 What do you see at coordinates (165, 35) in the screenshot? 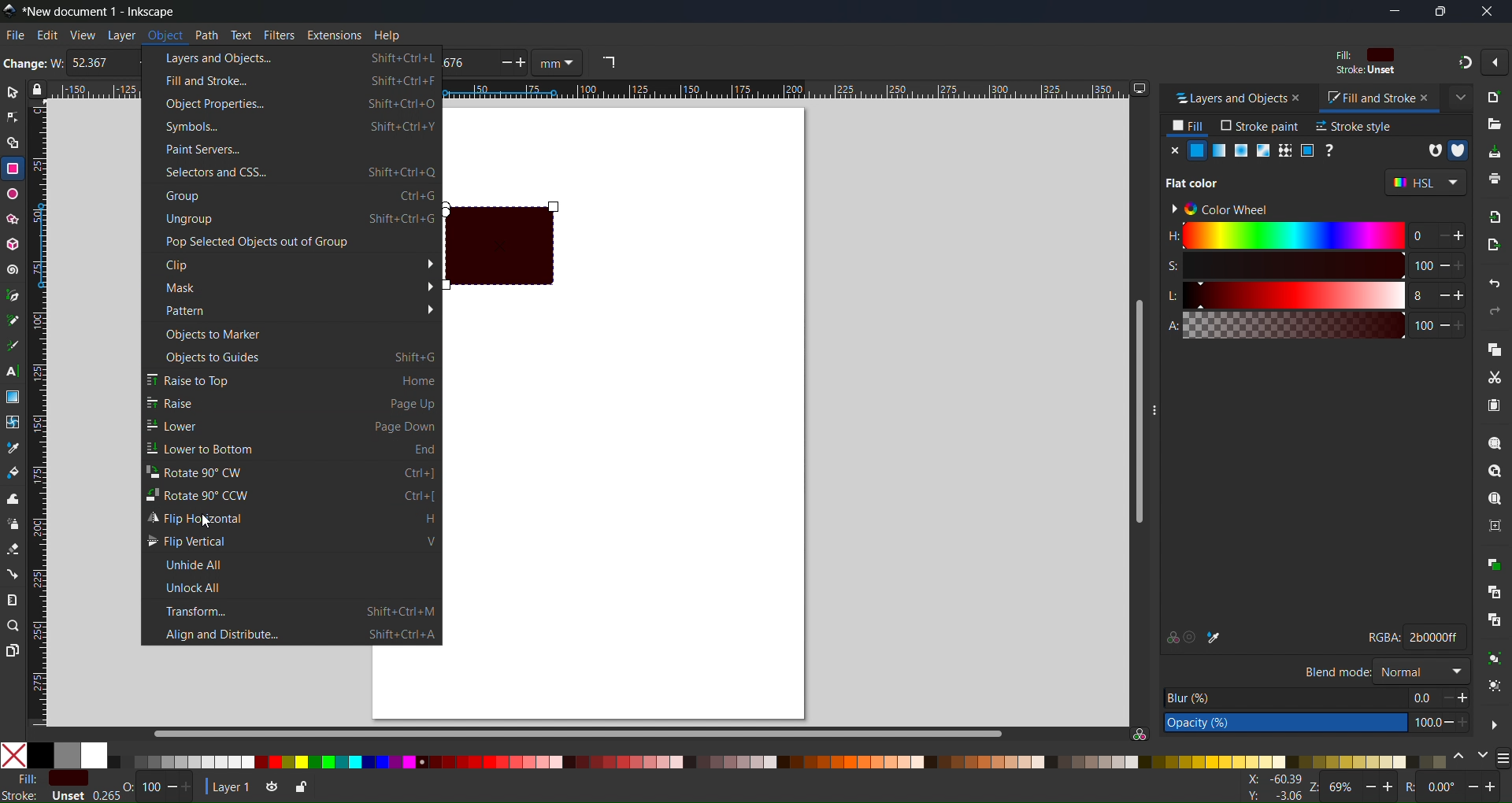
I see `Object` at bounding box center [165, 35].